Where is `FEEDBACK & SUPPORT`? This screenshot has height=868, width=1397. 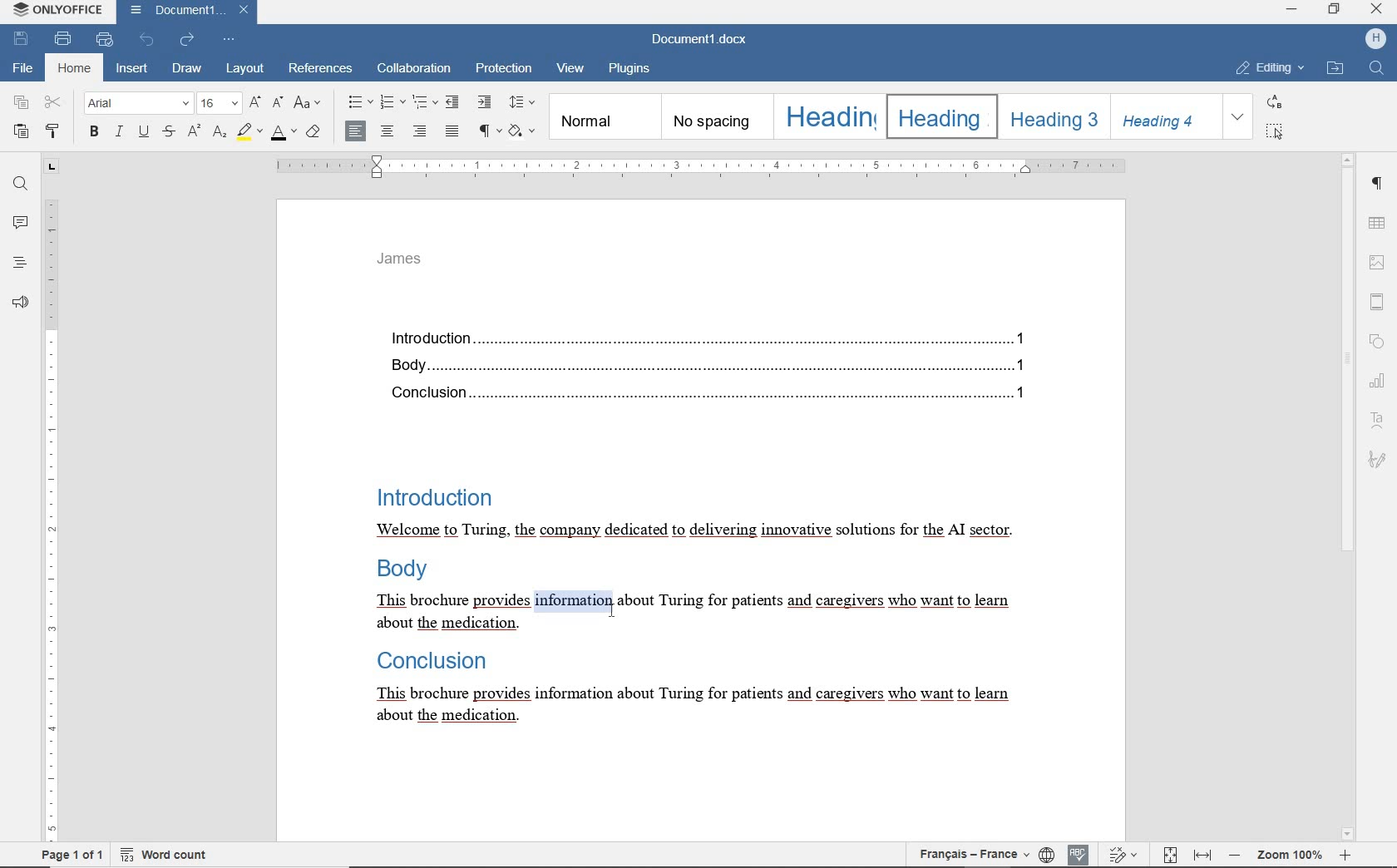
FEEDBACK & SUPPORT is located at coordinates (20, 299).